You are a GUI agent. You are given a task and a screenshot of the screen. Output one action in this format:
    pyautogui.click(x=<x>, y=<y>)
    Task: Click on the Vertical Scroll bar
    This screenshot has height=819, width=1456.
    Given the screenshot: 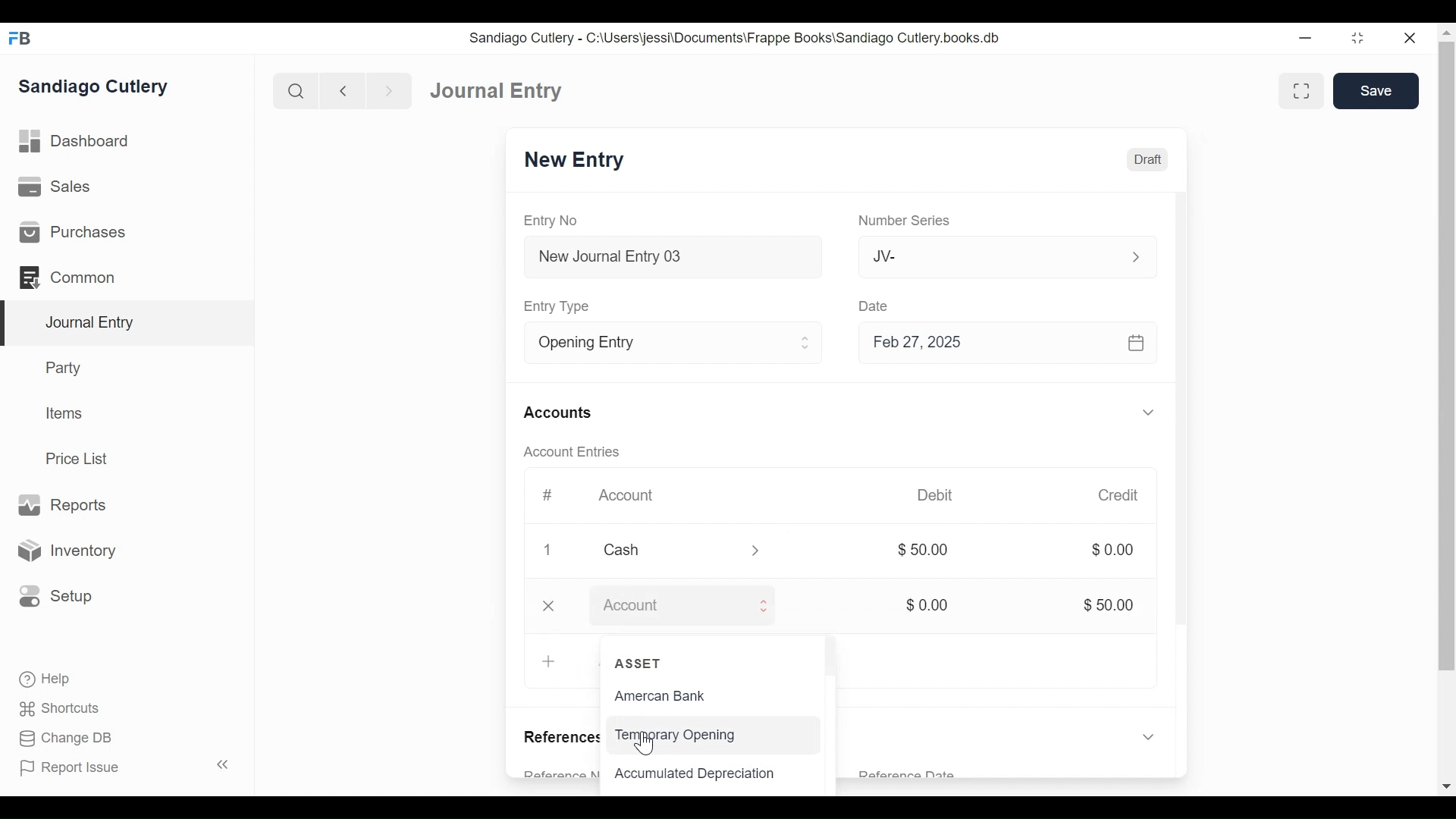 What is the action you would take?
    pyautogui.click(x=1446, y=356)
    